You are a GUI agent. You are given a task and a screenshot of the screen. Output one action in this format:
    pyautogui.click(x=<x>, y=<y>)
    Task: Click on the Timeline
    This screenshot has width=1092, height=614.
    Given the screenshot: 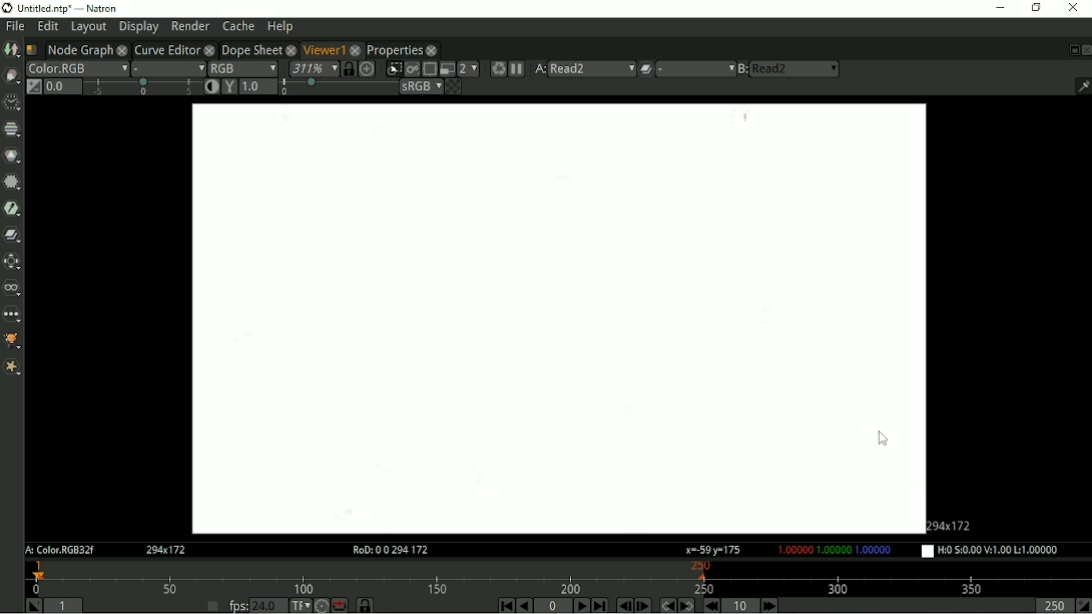 What is the action you would take?
    pyautogui.click(x=559, y=577)
    